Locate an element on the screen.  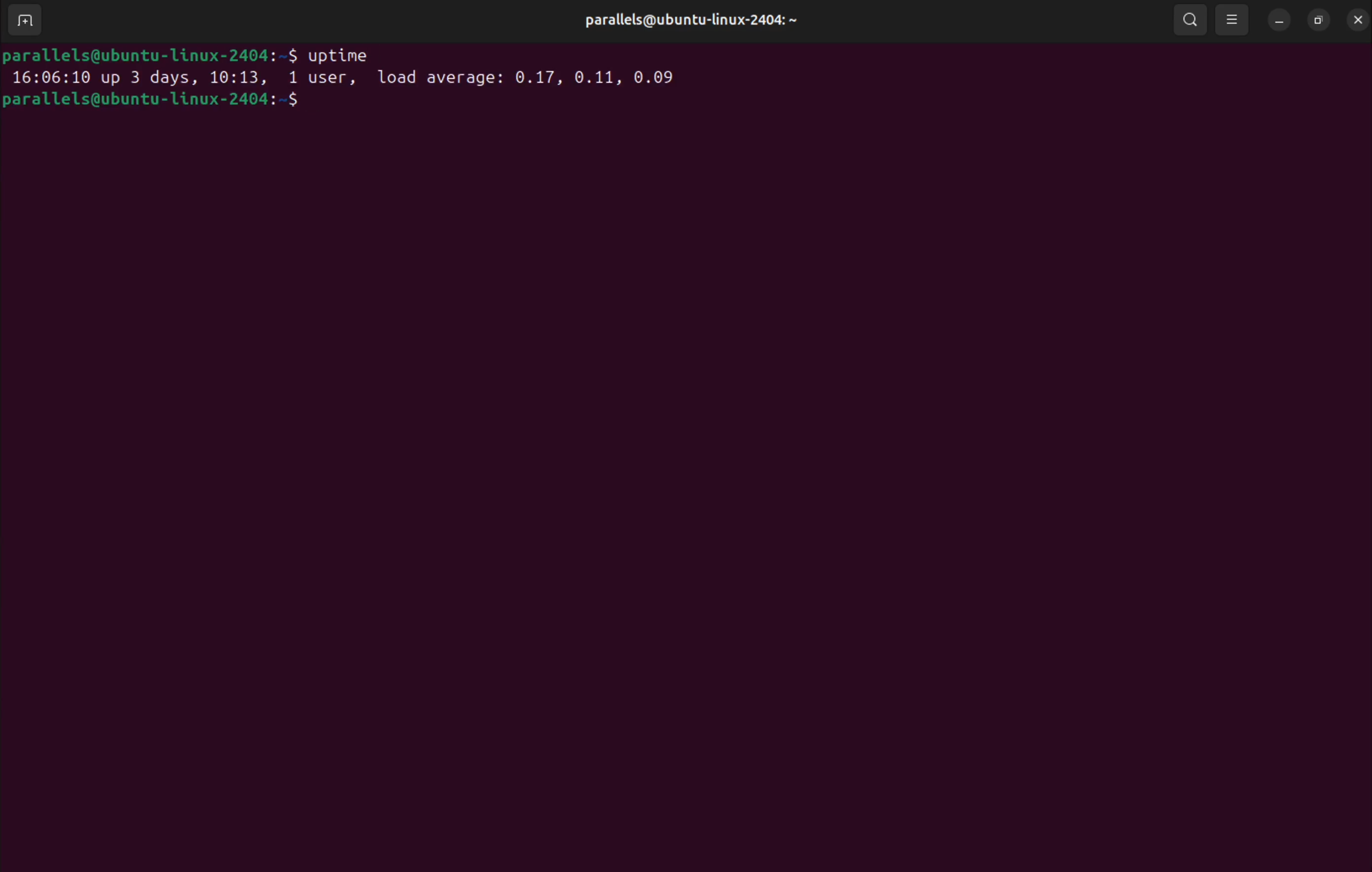
view options is located at coordinates (1232, 19).